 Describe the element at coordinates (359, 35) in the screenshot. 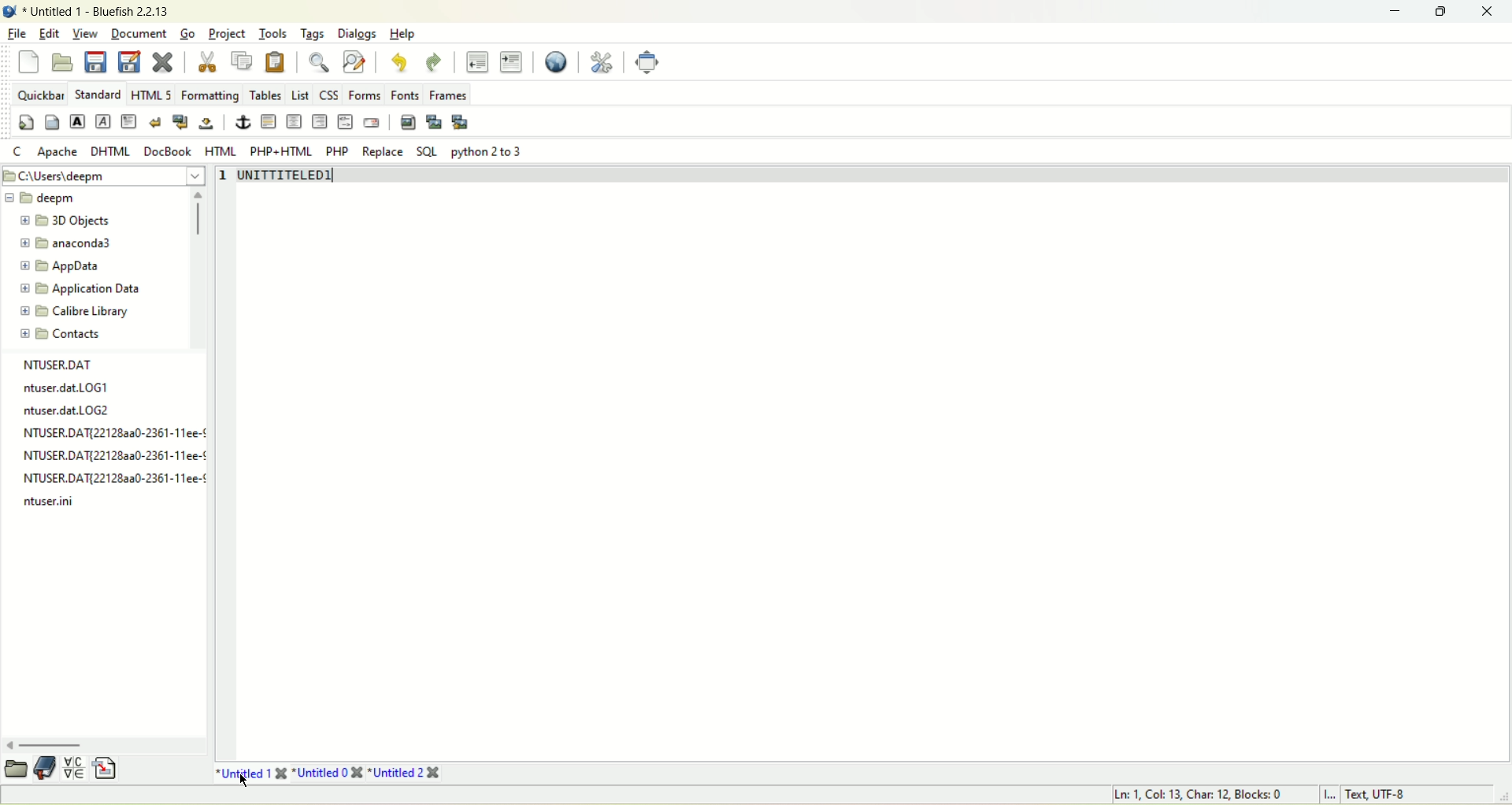

I see `Dialogs` at that location.